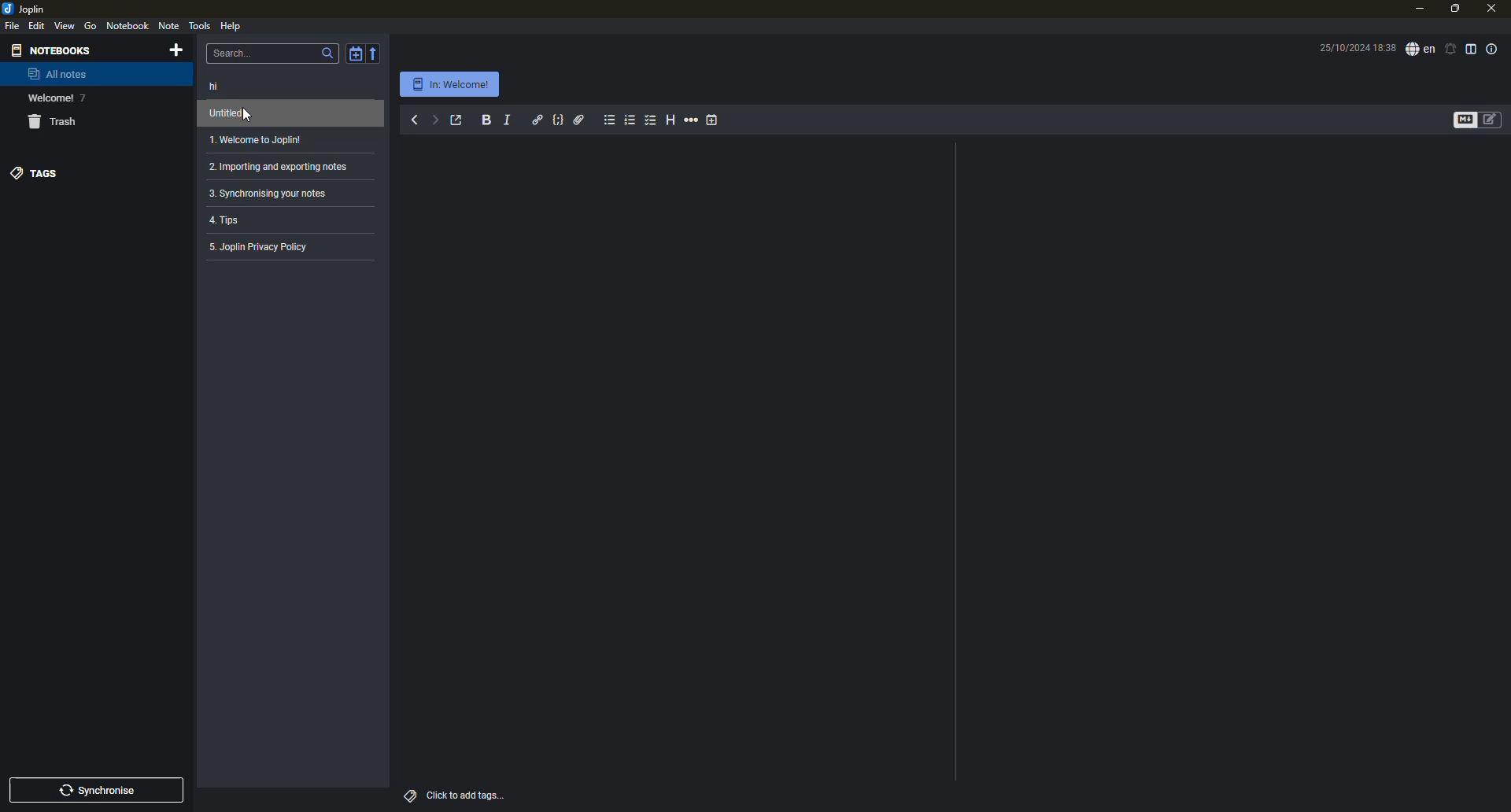  What do you see at coordinates (467, 795) in the screenshot?
I see `click to add tags` at bounding box center [467, 795].